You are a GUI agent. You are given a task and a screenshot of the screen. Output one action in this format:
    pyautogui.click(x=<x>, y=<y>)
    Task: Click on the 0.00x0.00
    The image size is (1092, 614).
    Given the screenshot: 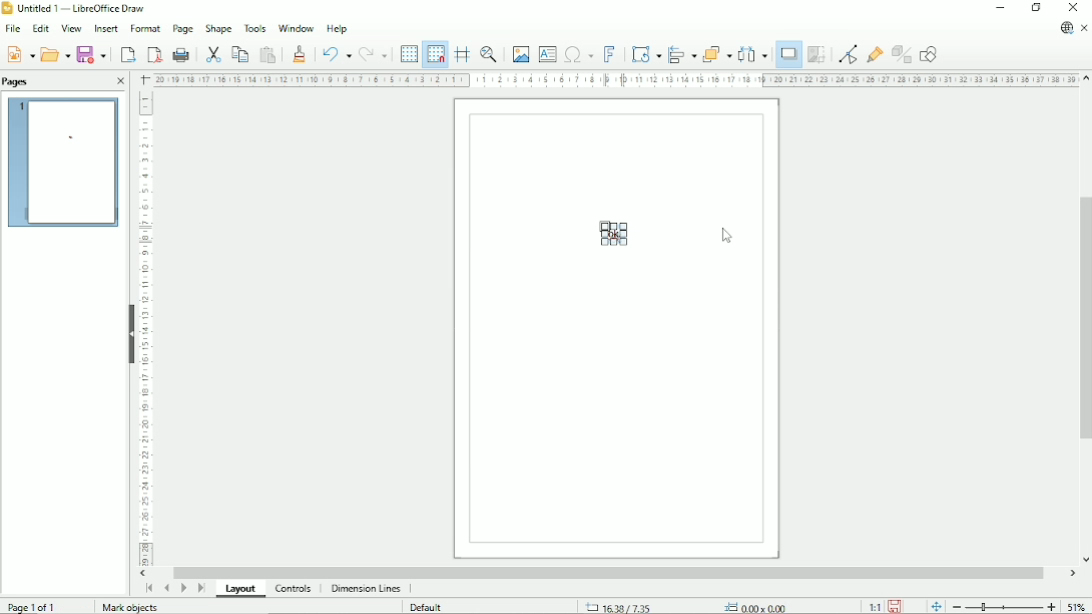 What is the action you would take?
    pyautogui.click(x=759, y=606)
    